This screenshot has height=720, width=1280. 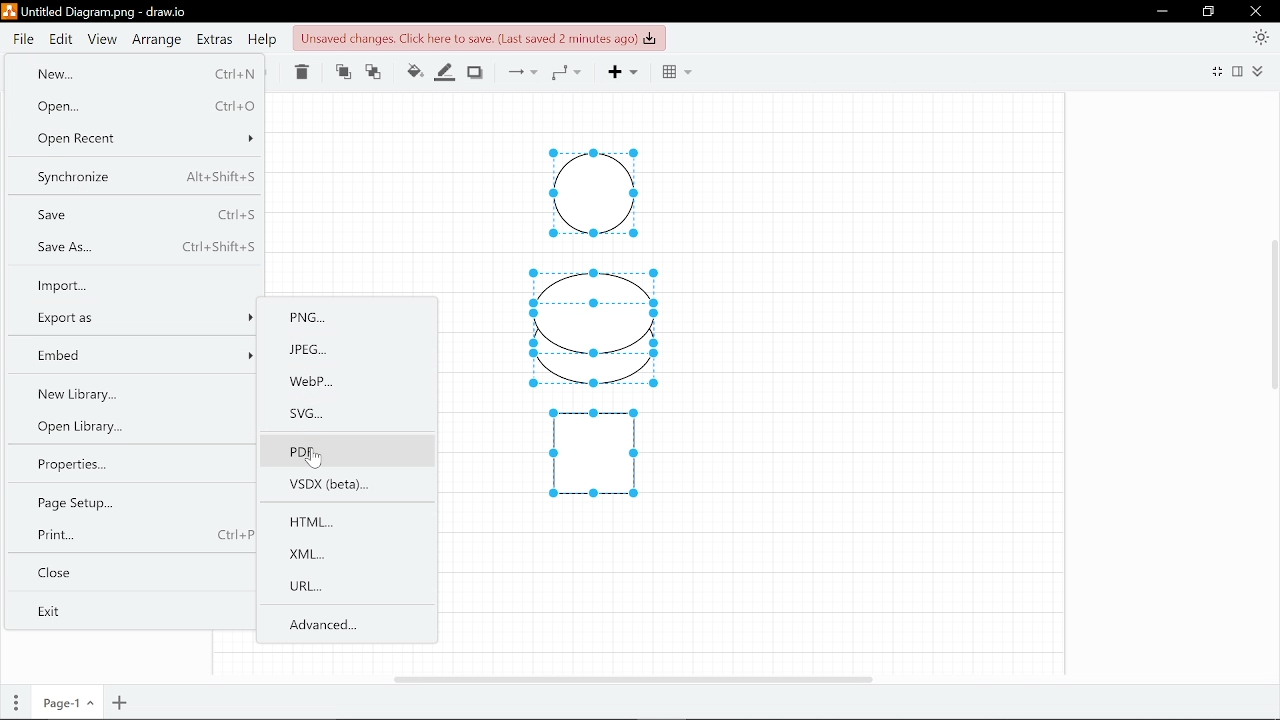 I want to click on PDF, so click(x=349, y=454).